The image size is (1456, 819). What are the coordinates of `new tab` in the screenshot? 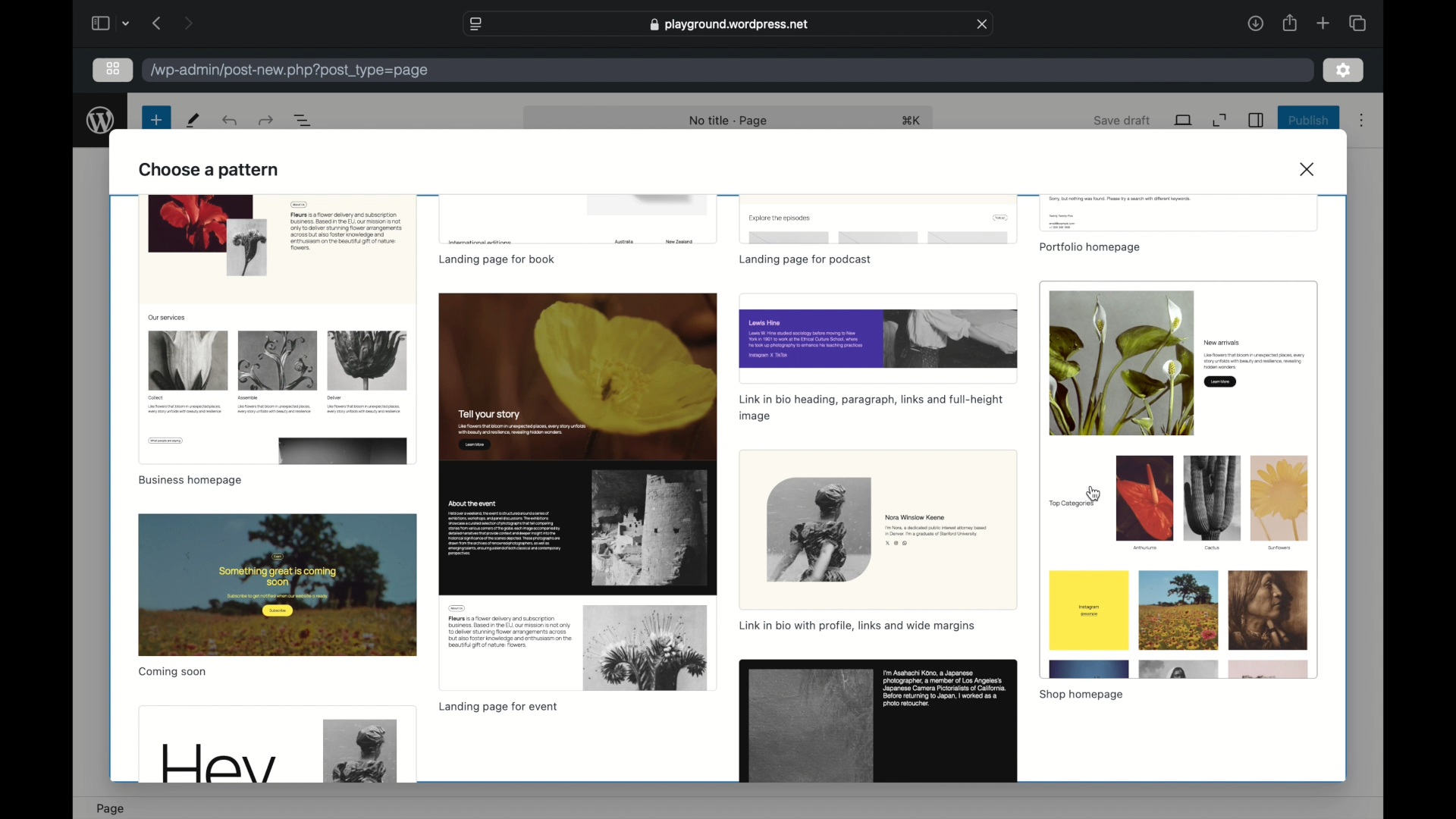 It's located at (1323, 23).